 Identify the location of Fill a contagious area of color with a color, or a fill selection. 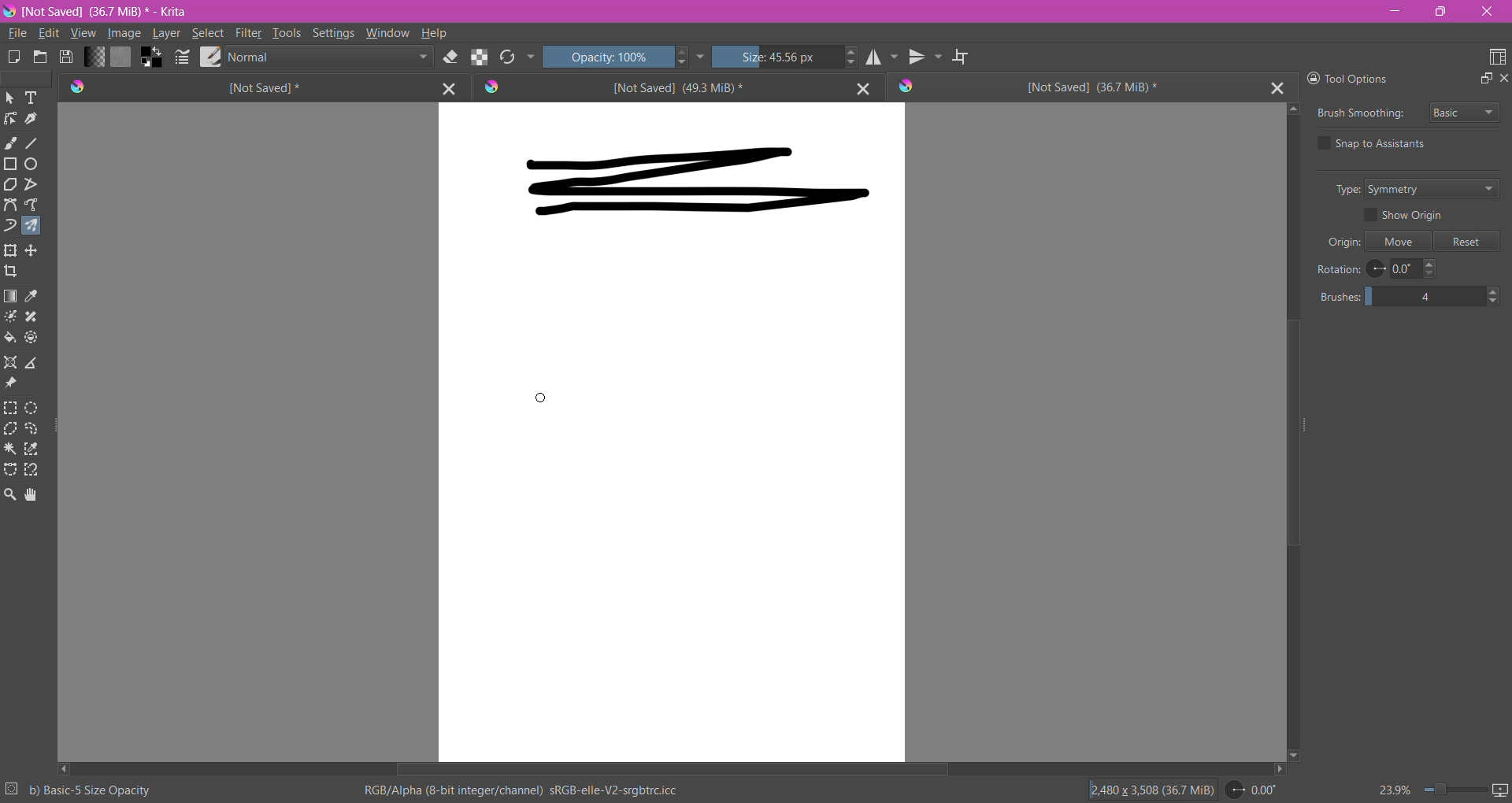
(11, 338).